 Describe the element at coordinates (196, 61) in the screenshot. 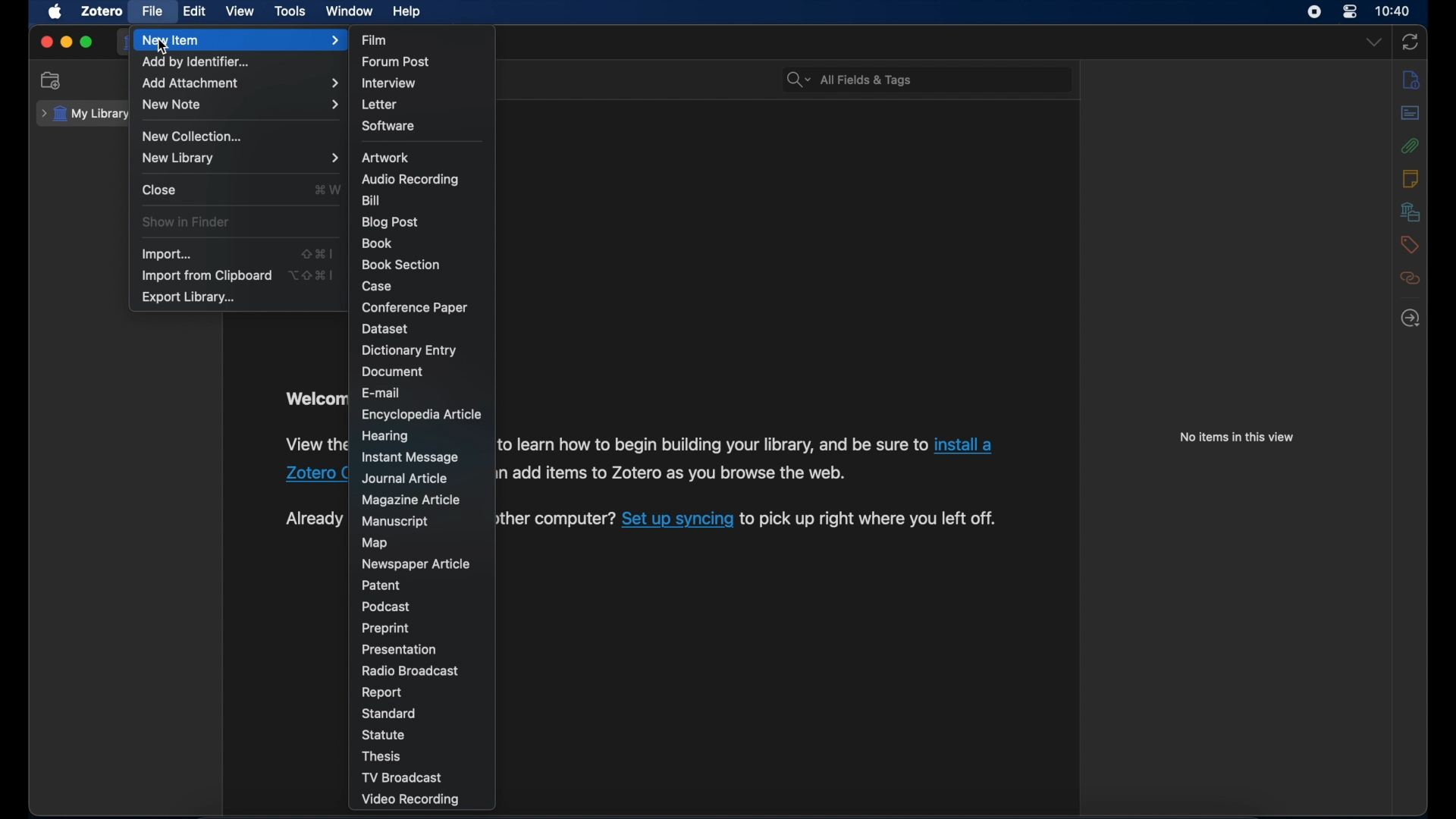

I see `add by identifier` at that location.